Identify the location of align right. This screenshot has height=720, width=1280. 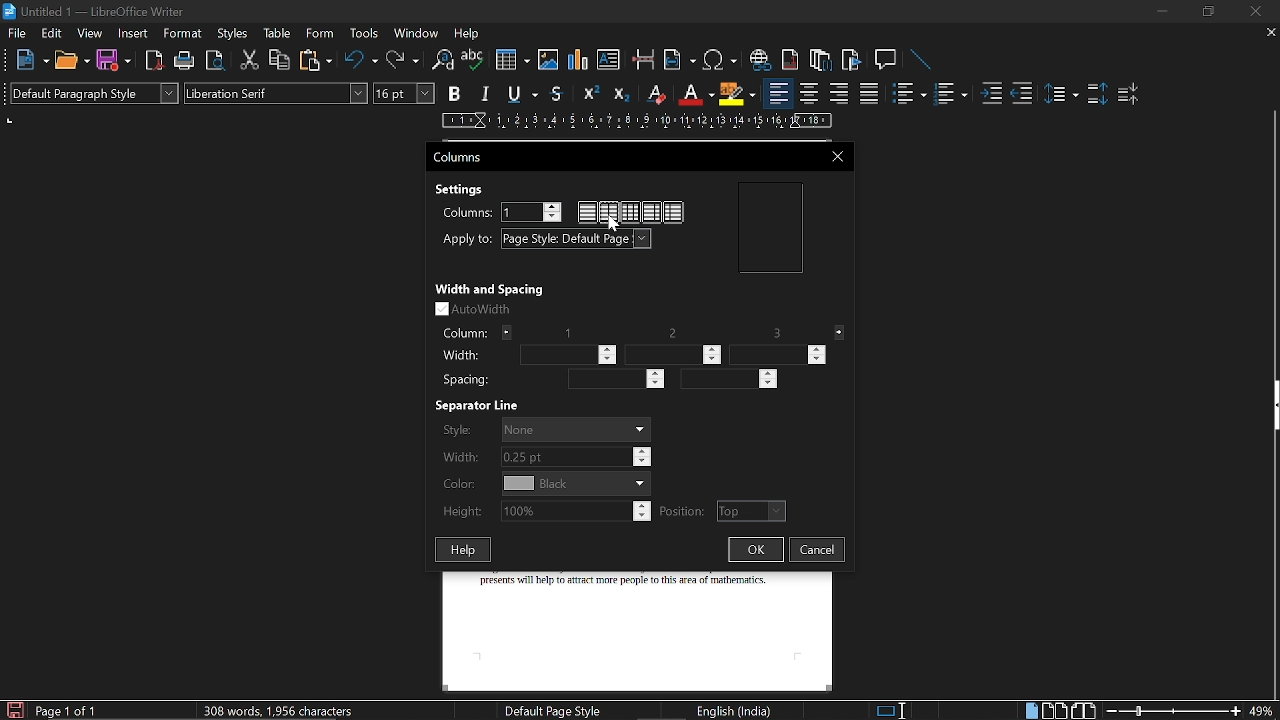
(839, 92).